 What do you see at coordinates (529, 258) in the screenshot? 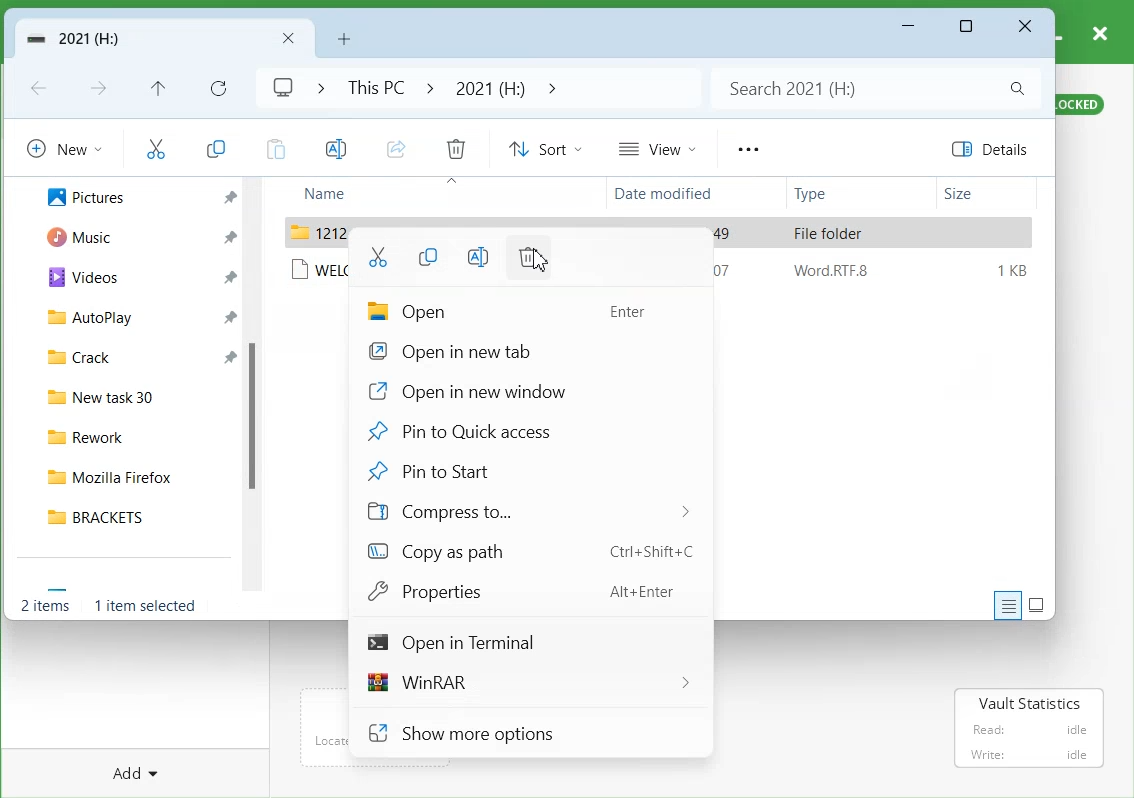
I see `Delete` at bounding box center [529, 258].